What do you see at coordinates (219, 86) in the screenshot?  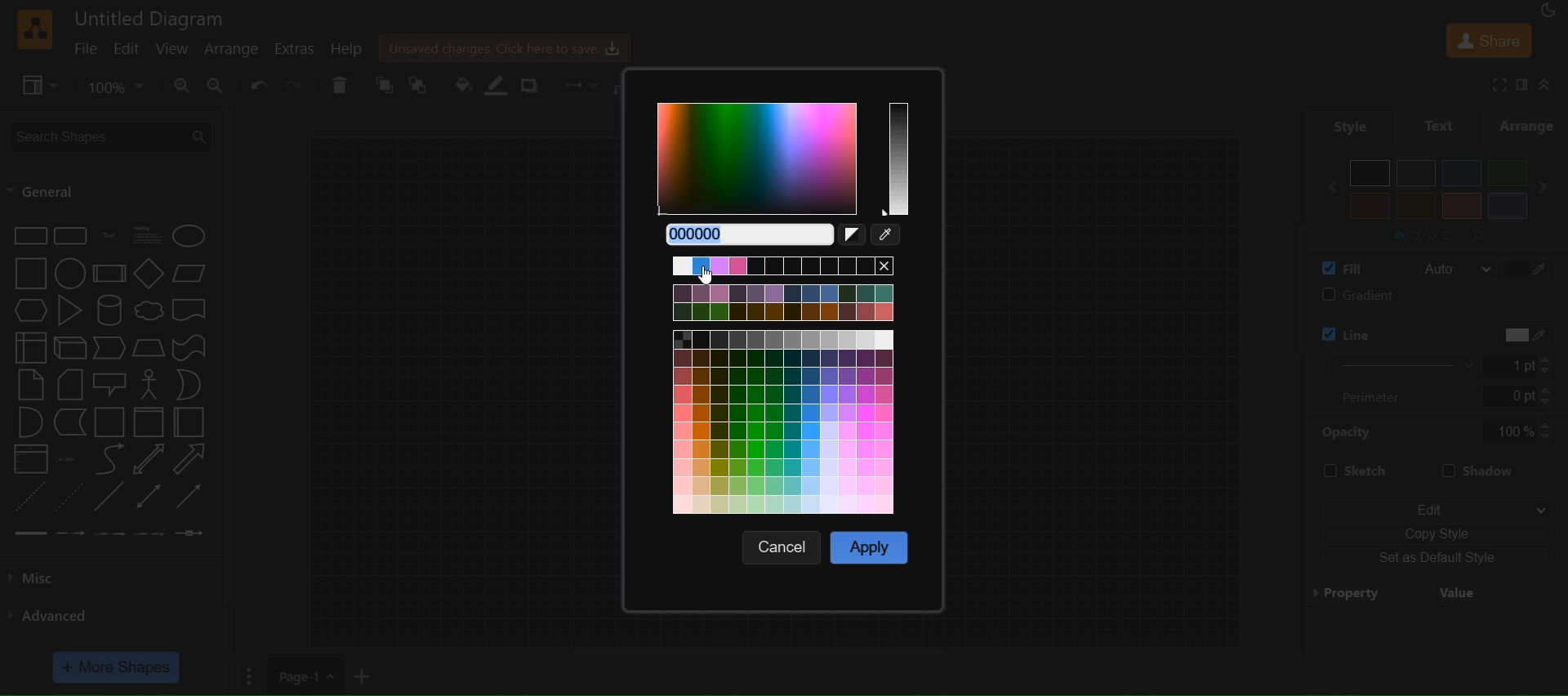 I see `zoom out` at bounding box center [219, 86].